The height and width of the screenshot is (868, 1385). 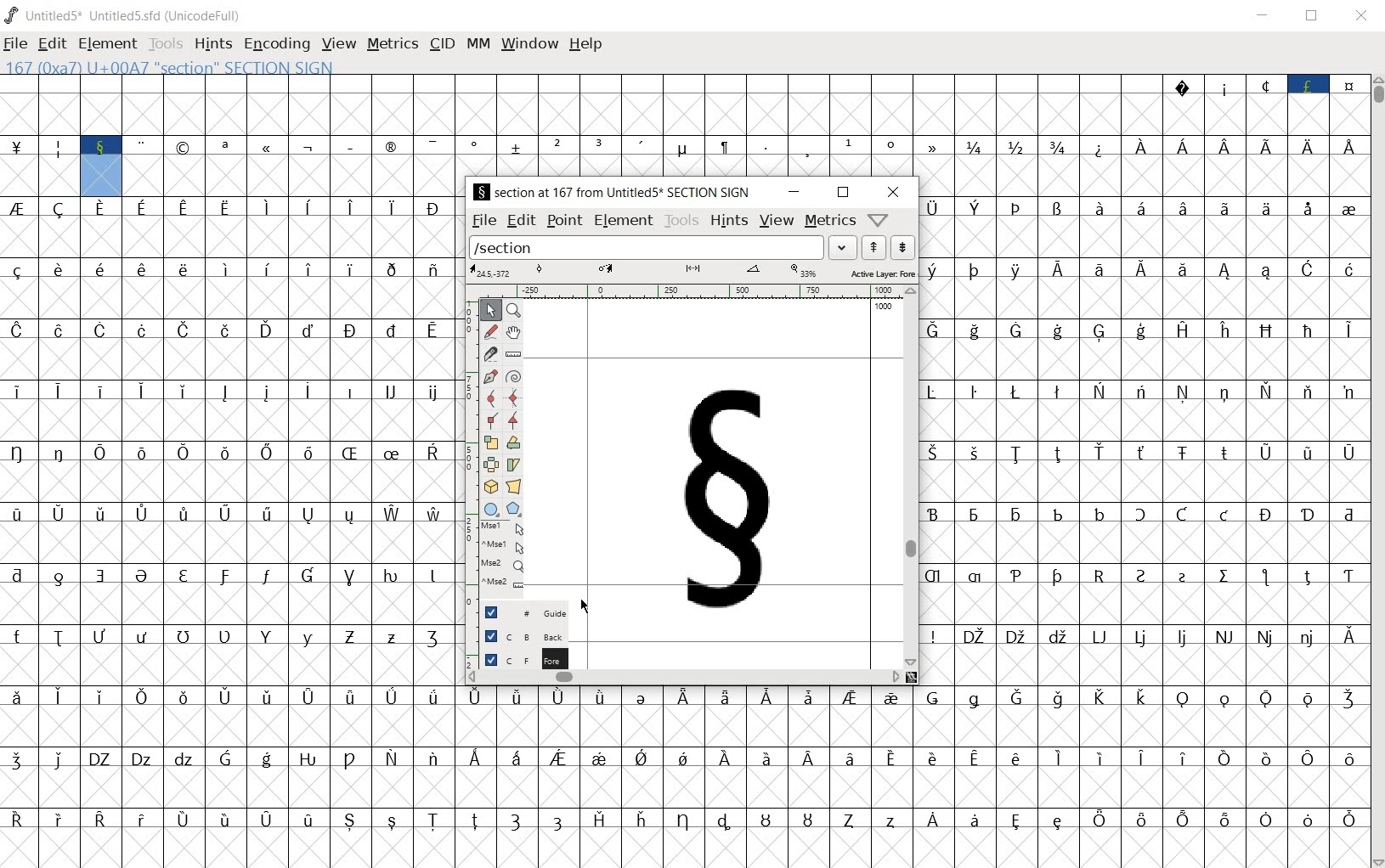 I want to click on perform a perspective transformation on the selection, so click(x=514, y=485).